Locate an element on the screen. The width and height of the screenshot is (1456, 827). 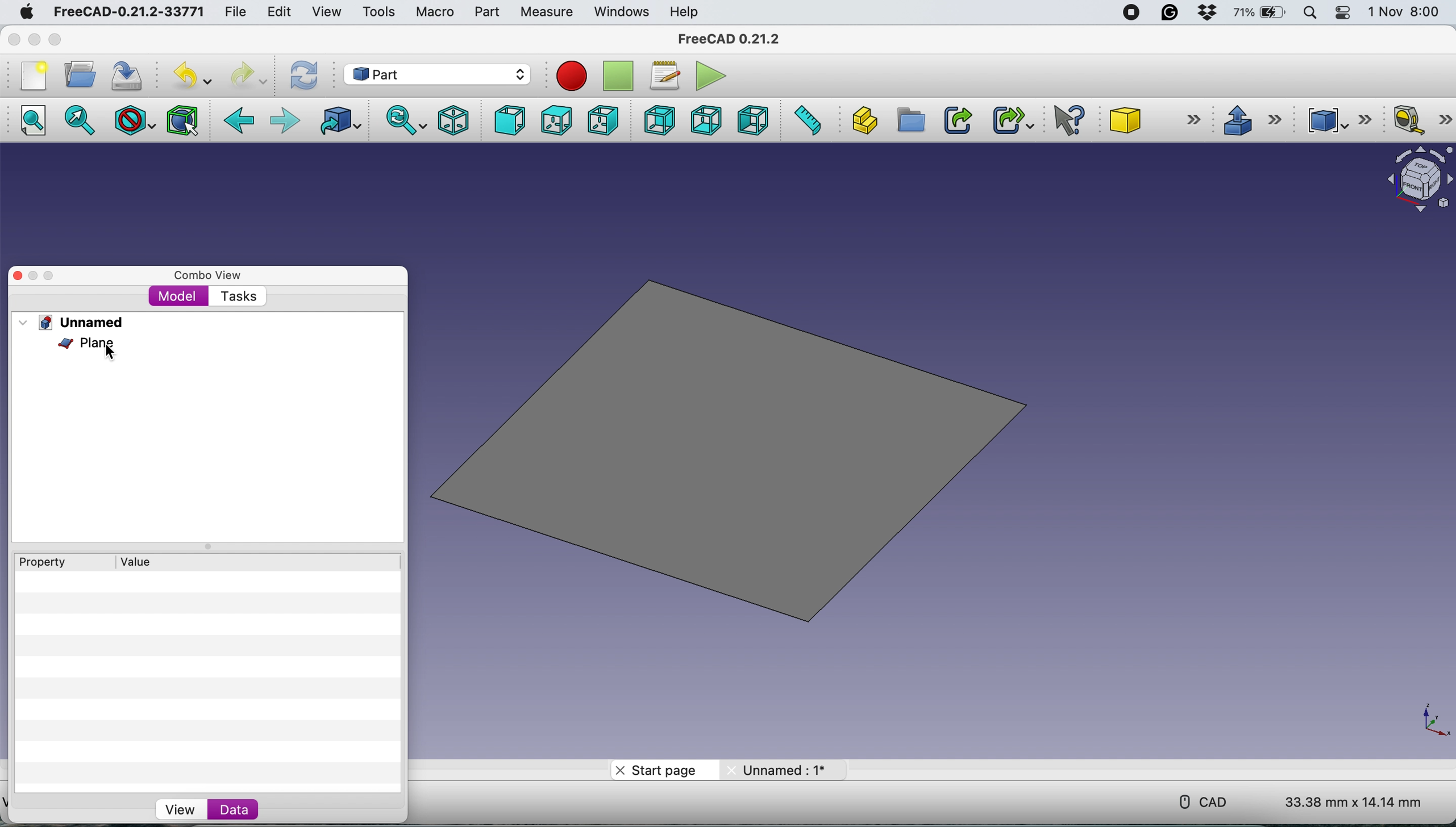
part is located at coordinates (487, 11).